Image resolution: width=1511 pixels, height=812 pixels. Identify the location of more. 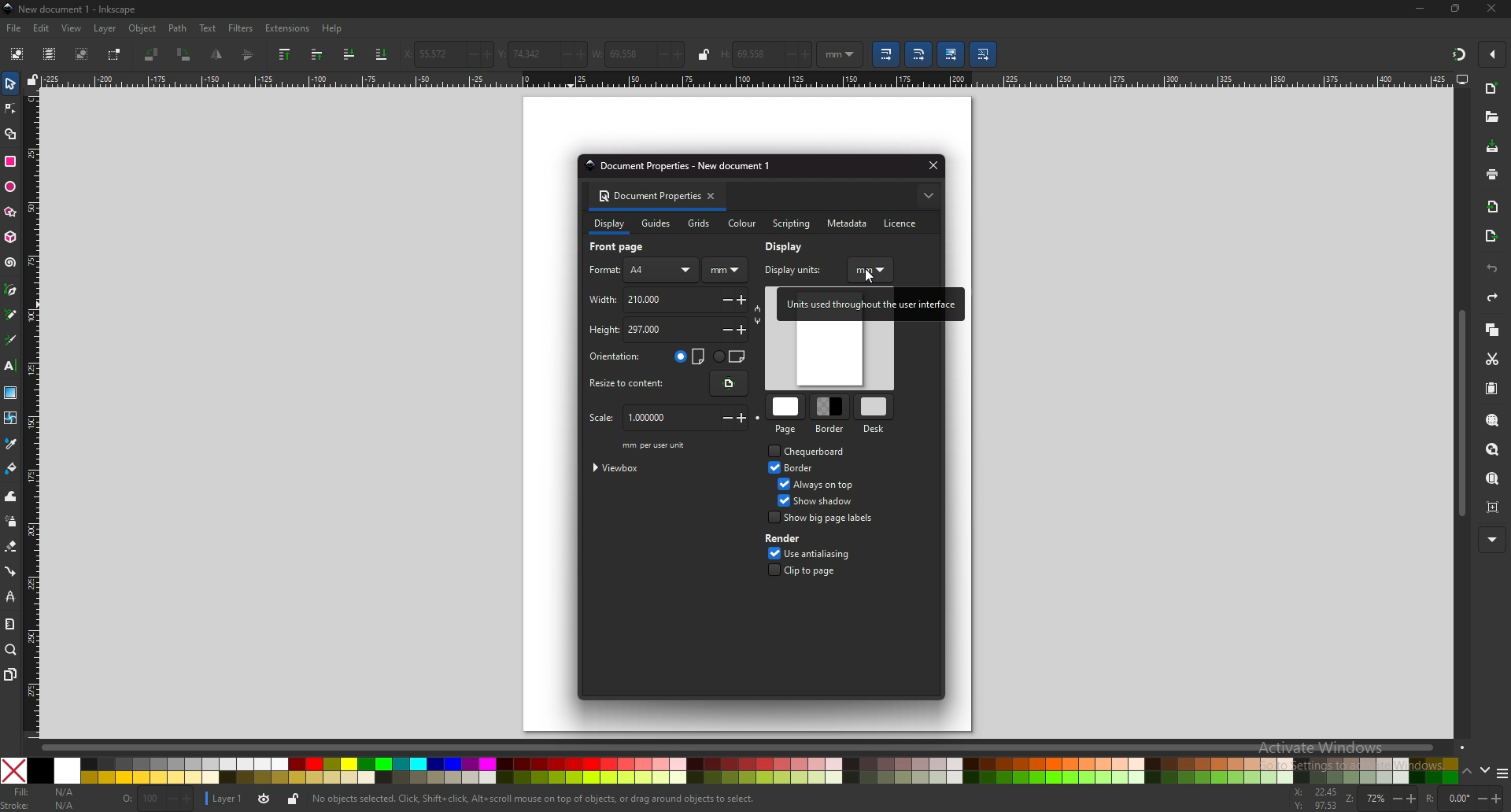
(1490, 539).